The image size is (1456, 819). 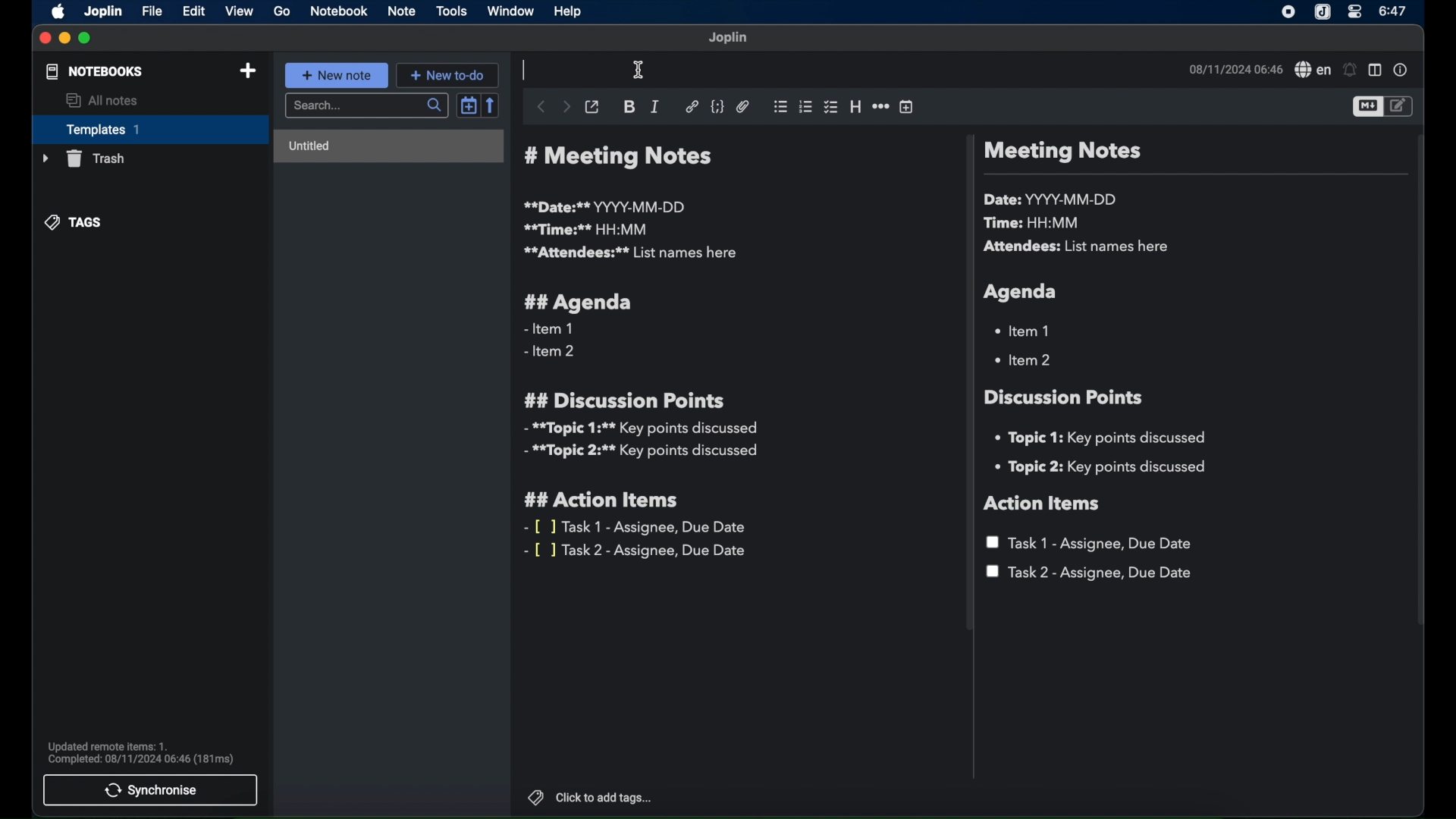 What do you see at coordinates (492, 105) in the screenshot?
I see `reverse sort order` at bounding box center [492, 105].